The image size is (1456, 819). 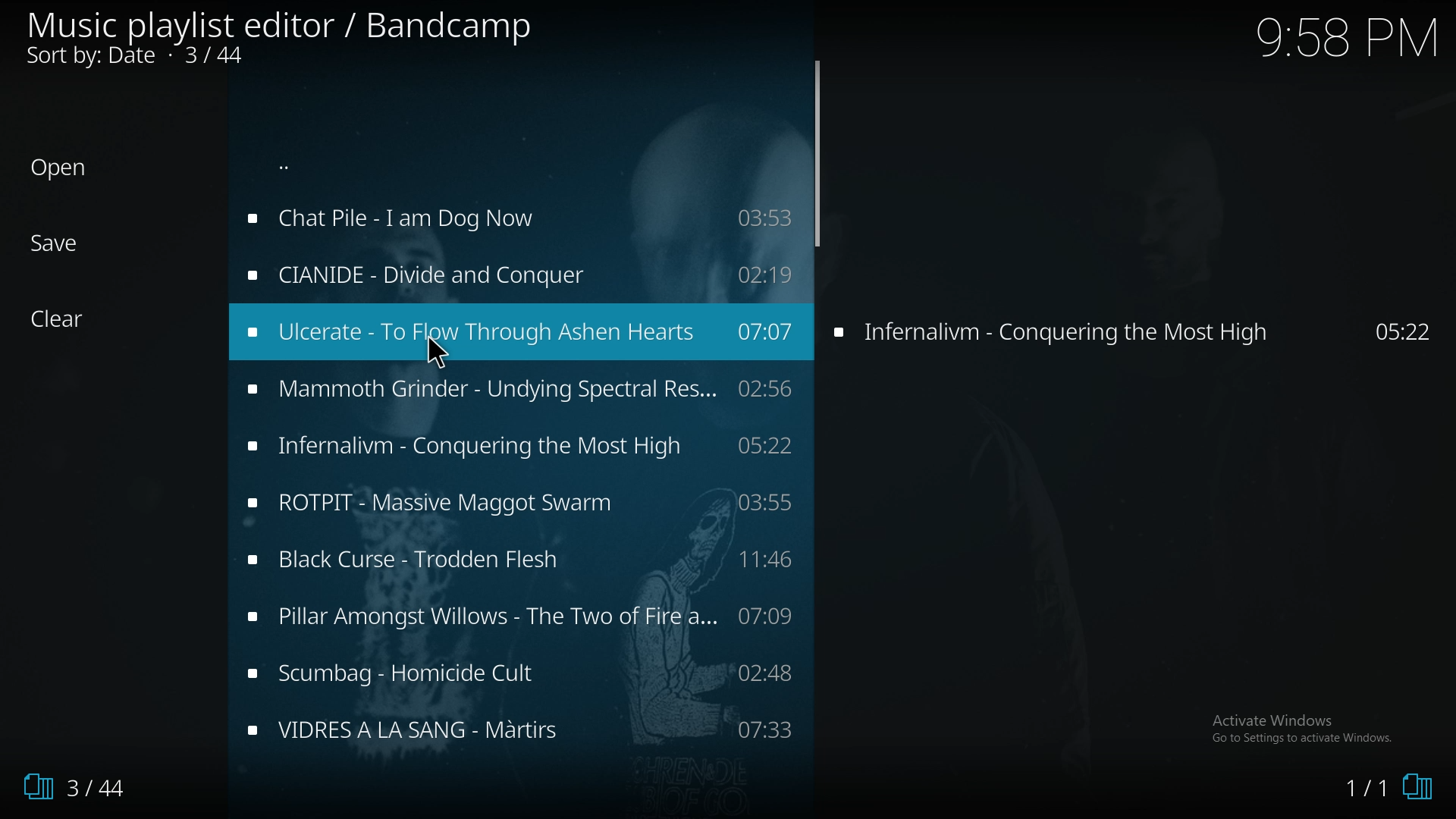 What do you see at coordinates (519, 563) in the screenshot?
I see `music` at bounding box center [519, 563].